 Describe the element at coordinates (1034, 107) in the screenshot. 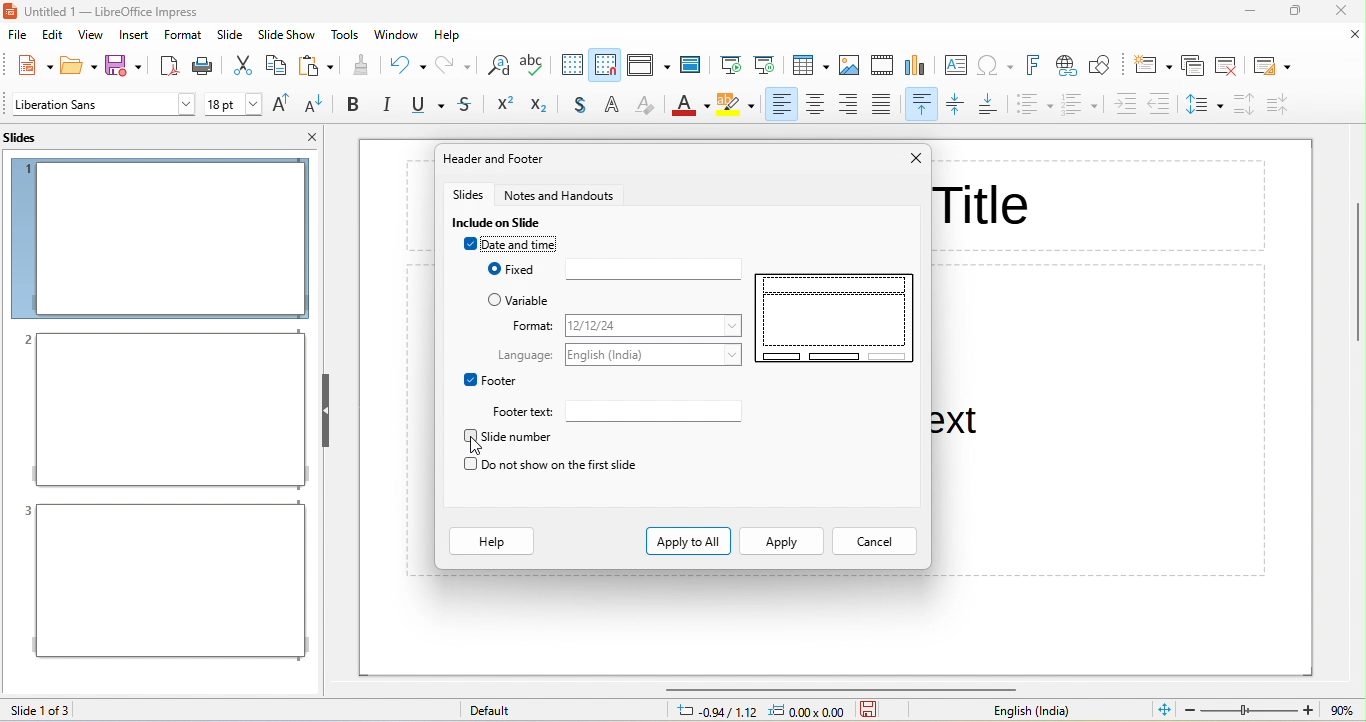

I see `unordered list` at that location.